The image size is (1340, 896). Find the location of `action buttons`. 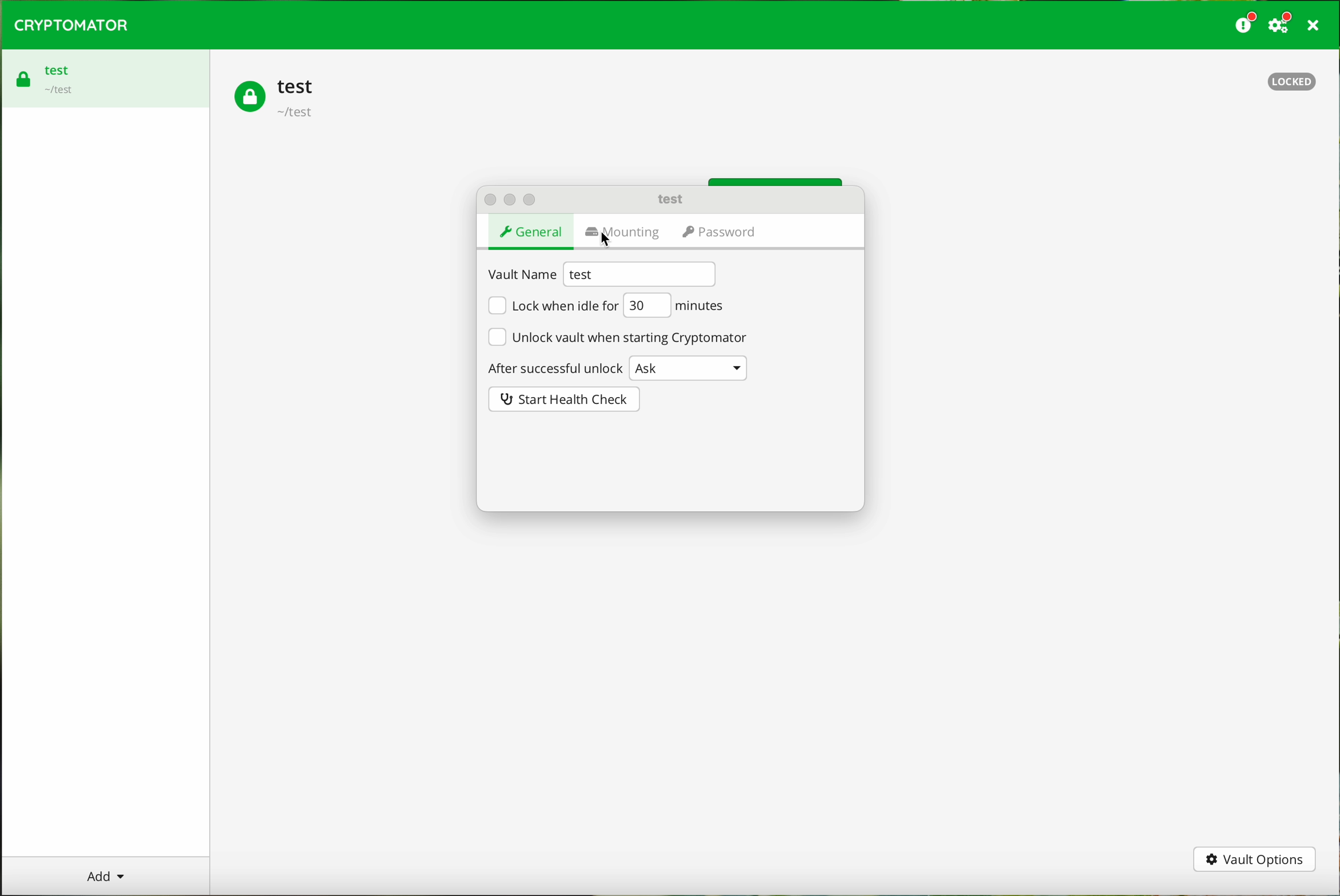

action buttons is located at coordinates (513, 198).